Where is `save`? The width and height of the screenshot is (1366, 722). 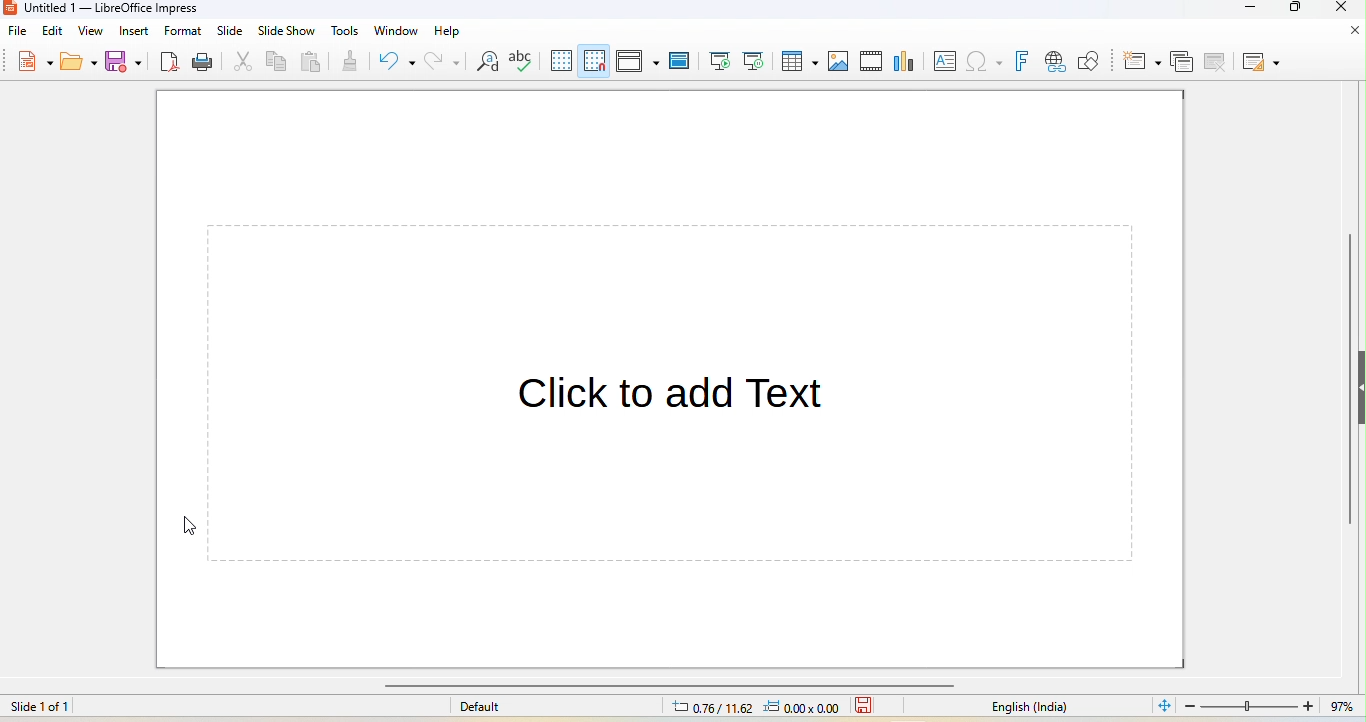
save is located at coordinates (866, 706).